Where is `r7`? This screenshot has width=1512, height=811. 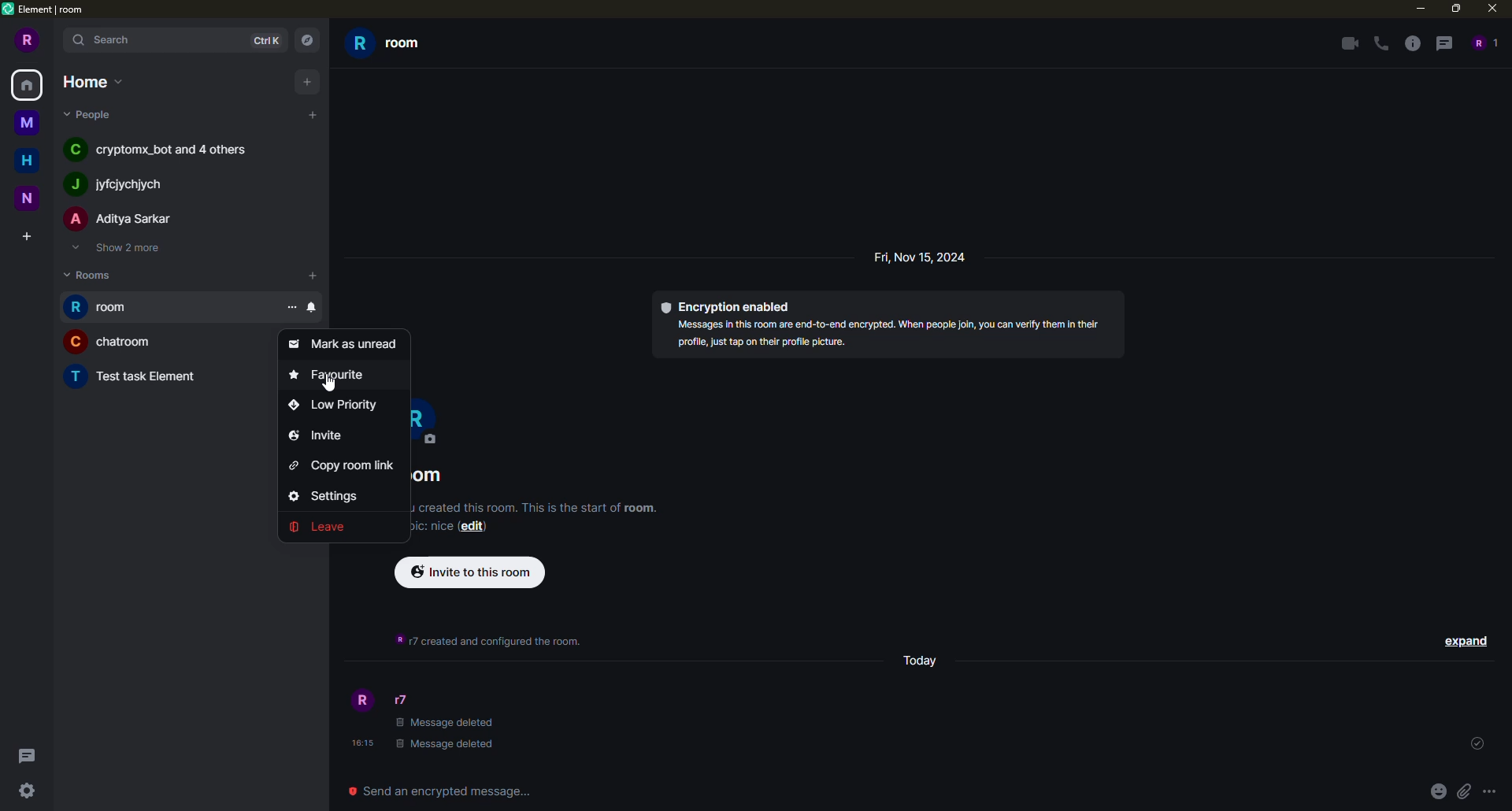 r7 is located at coordinates (400, 699).